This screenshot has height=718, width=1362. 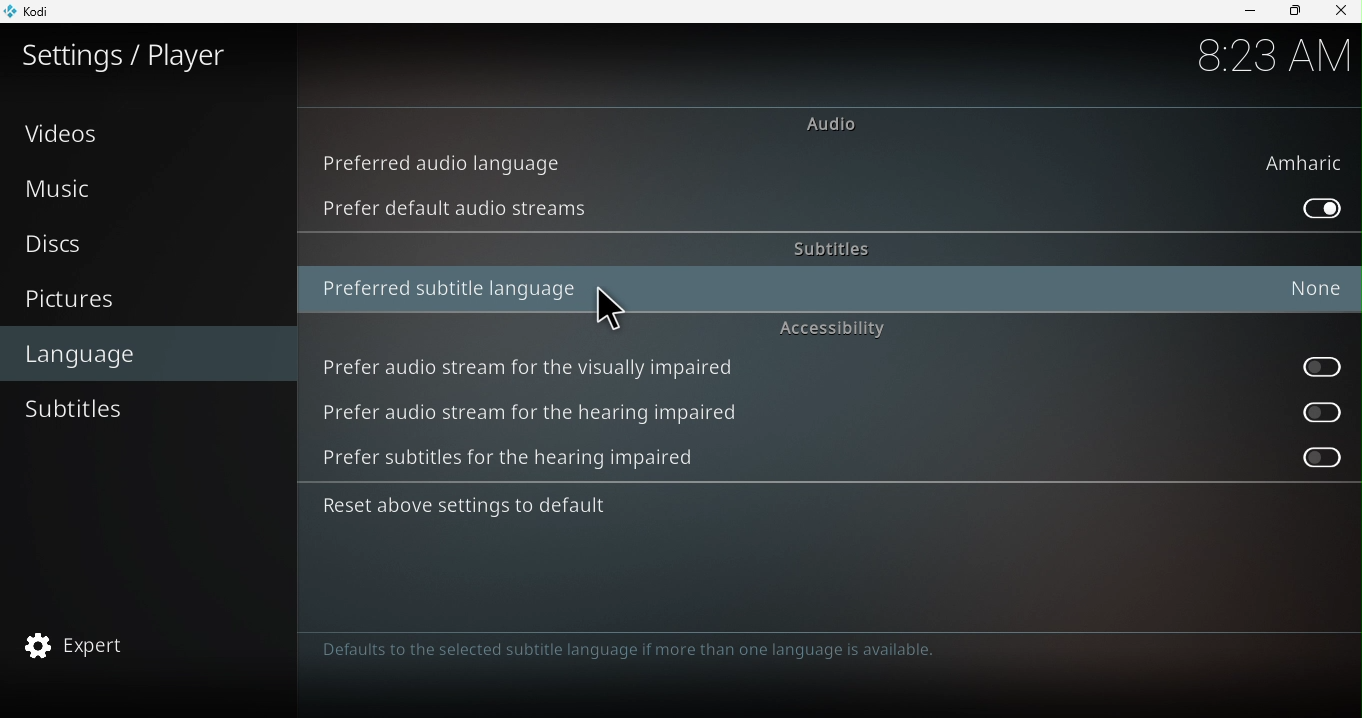 I want to click on Music, so click(x=146, y=188).